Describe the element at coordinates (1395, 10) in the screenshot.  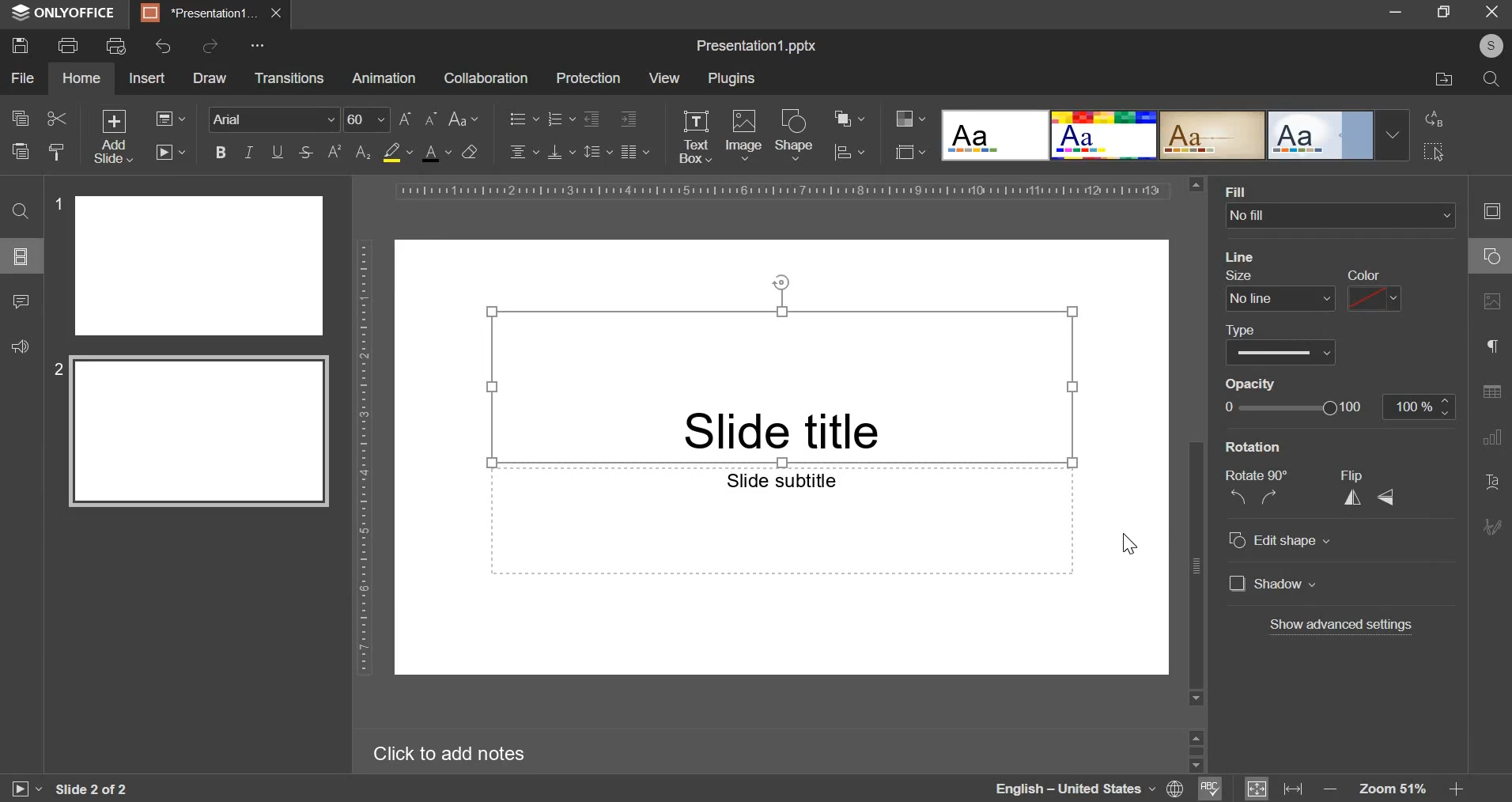
I see `minimize` at that location.